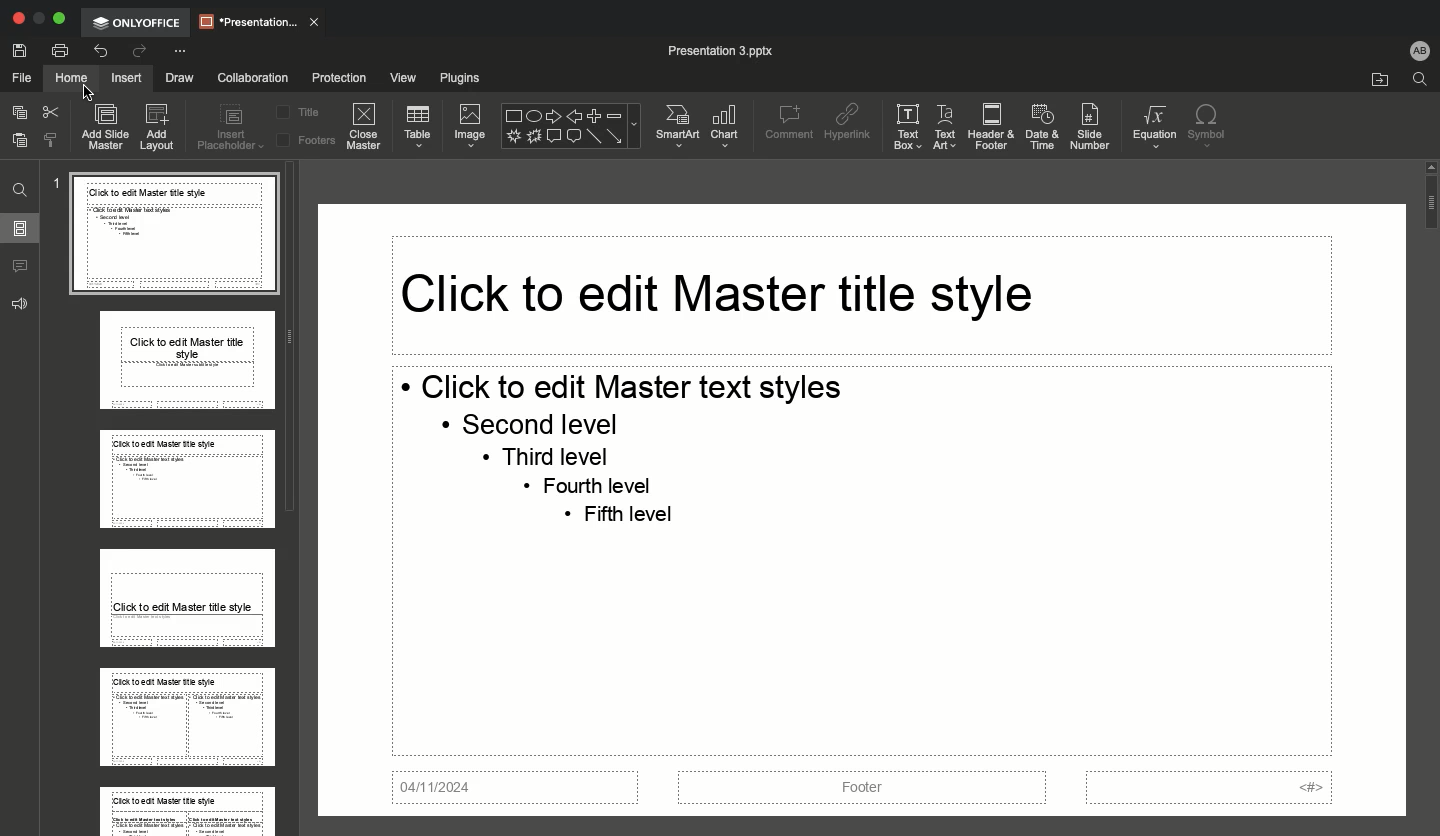 This screenshot has width=1440, height=836. Describe the element at coordinates (848, 123) in the screenshot. I see `Hyperlink` at that location.